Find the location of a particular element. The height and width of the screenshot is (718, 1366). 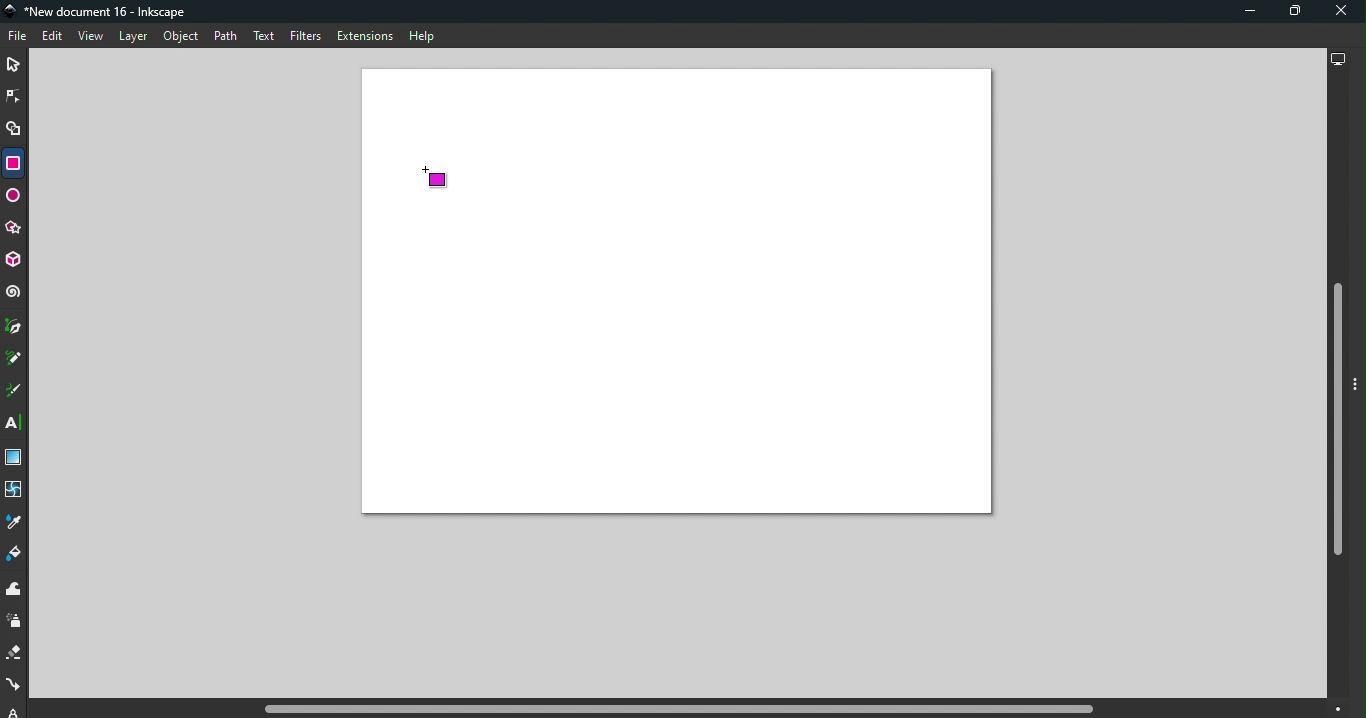

Display options is located at coordinates (1336, 57).